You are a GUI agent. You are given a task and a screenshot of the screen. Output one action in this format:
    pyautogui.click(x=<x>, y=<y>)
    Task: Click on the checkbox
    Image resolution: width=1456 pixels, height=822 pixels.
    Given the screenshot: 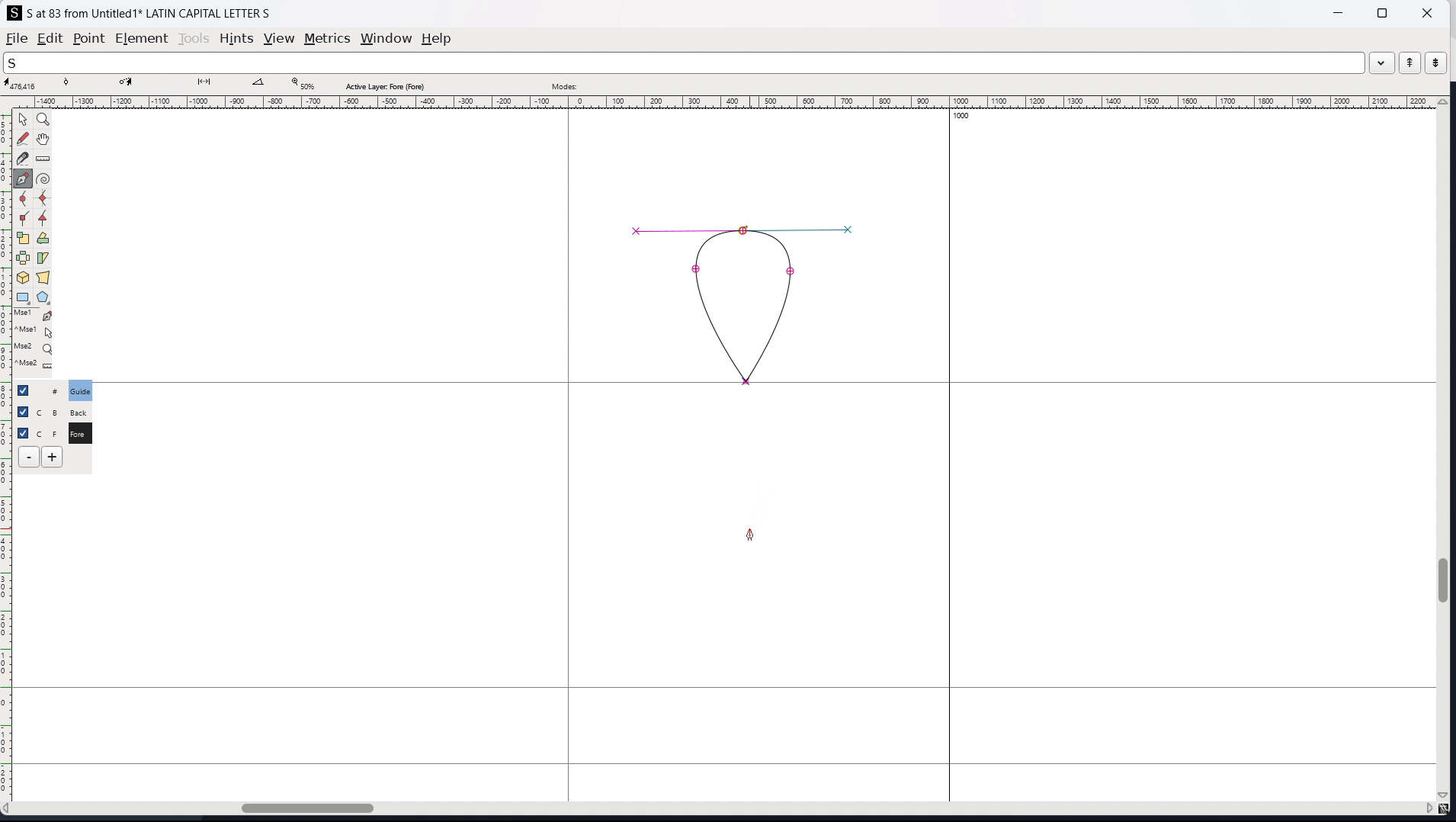 What is the action you would take?
    pyautogui.click(x=22, y=410)
    